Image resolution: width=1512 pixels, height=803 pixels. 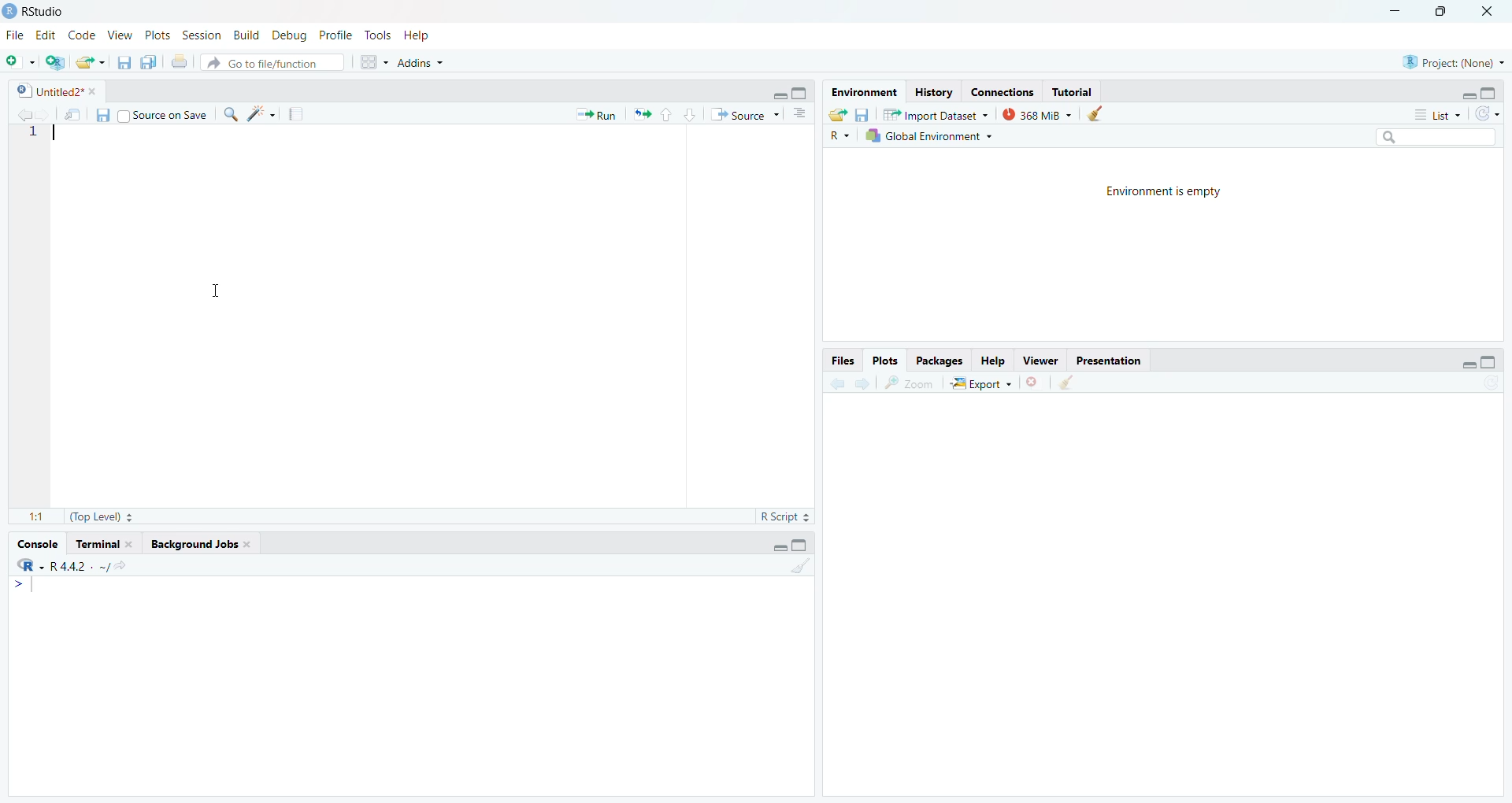 What do you see at coordinates (198, 35) in the screenshot?
I see `s Session` at bounding box center [198, 35].